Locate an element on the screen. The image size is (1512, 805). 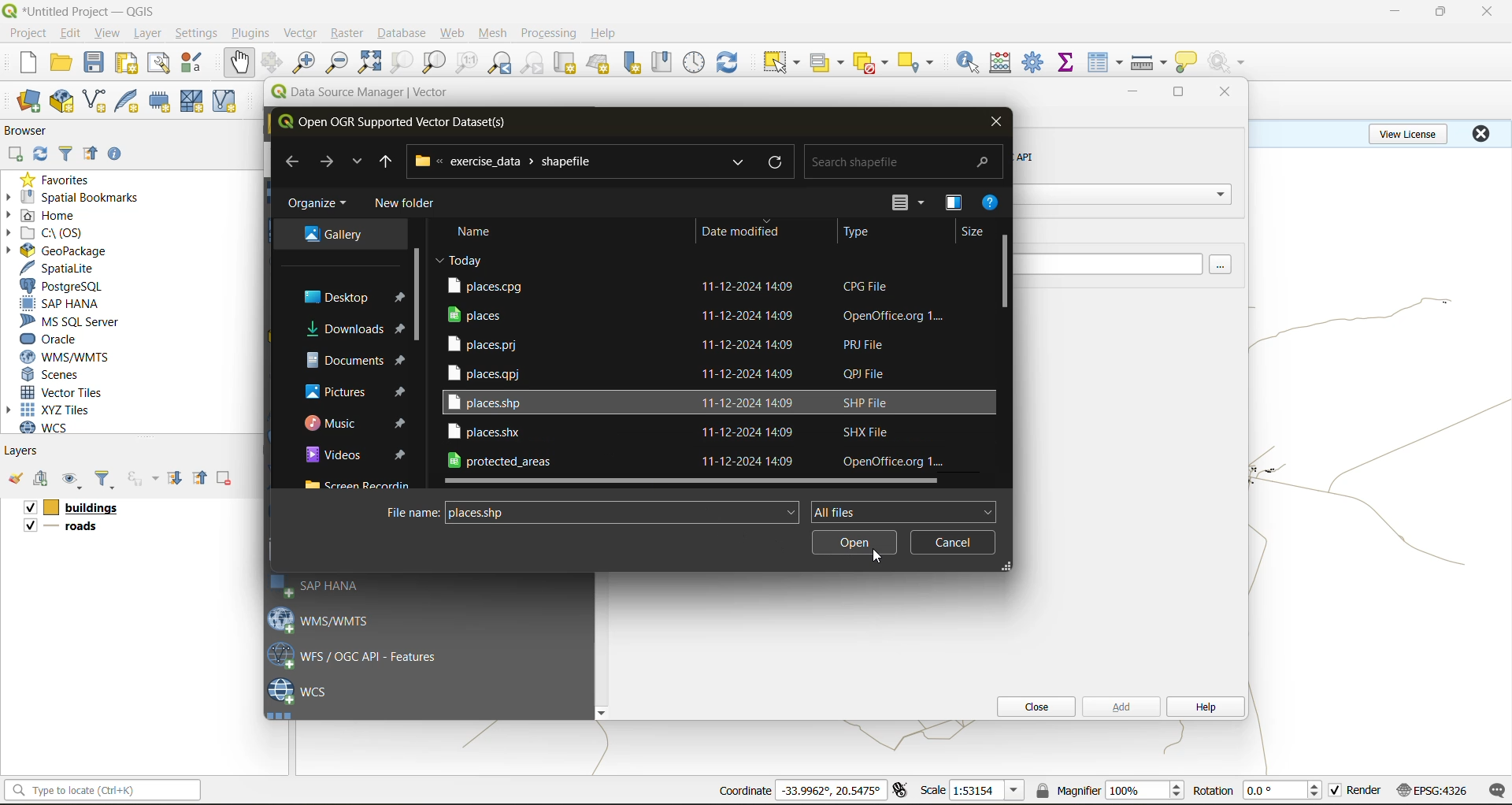
folder explorer is located at coordinates (361, 484).